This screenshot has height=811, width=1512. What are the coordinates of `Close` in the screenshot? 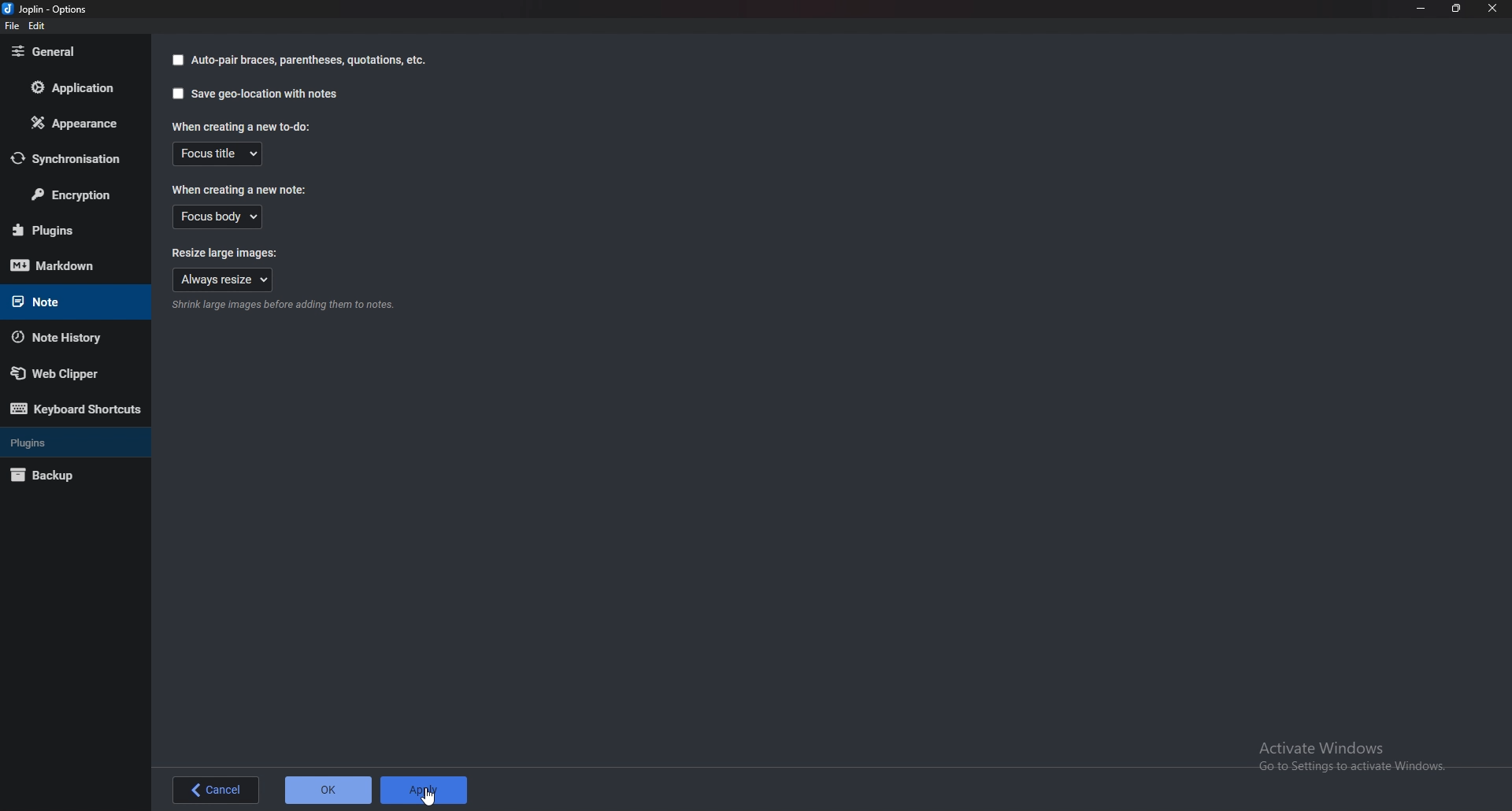 It's located at (1492, 9).